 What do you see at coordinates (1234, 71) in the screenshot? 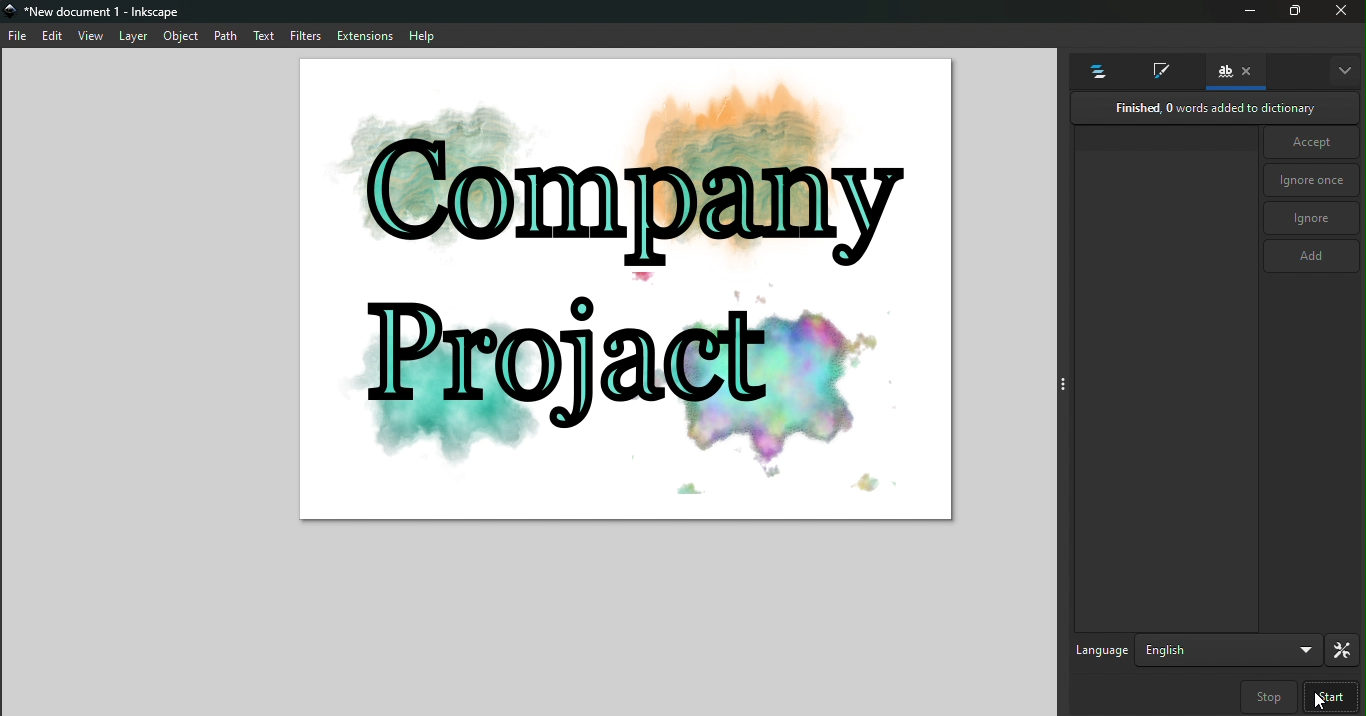
I see `Check spelling` at bounding box center [1234, 71].